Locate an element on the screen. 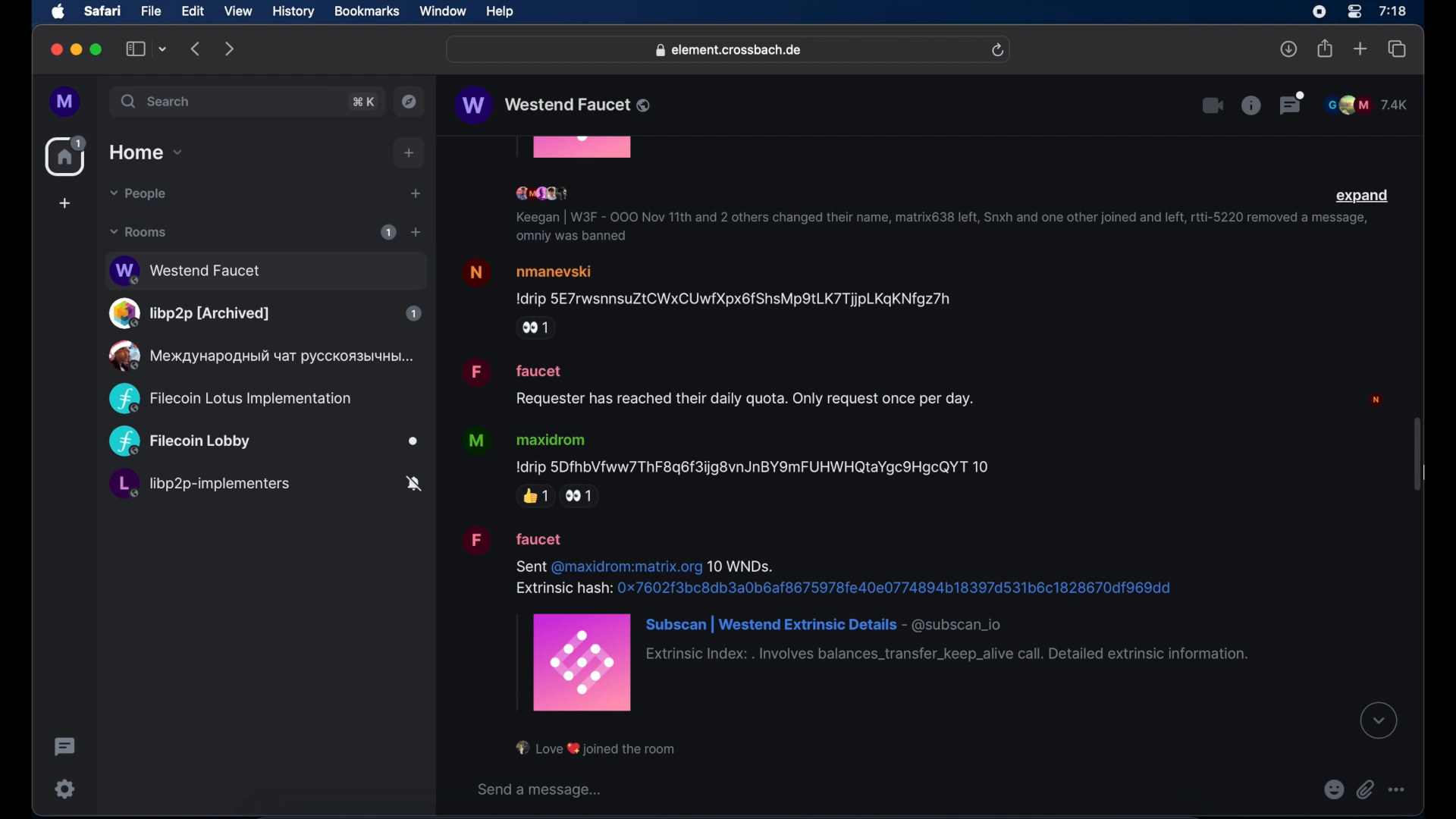  emojis is located at coordinates (1334, 789).